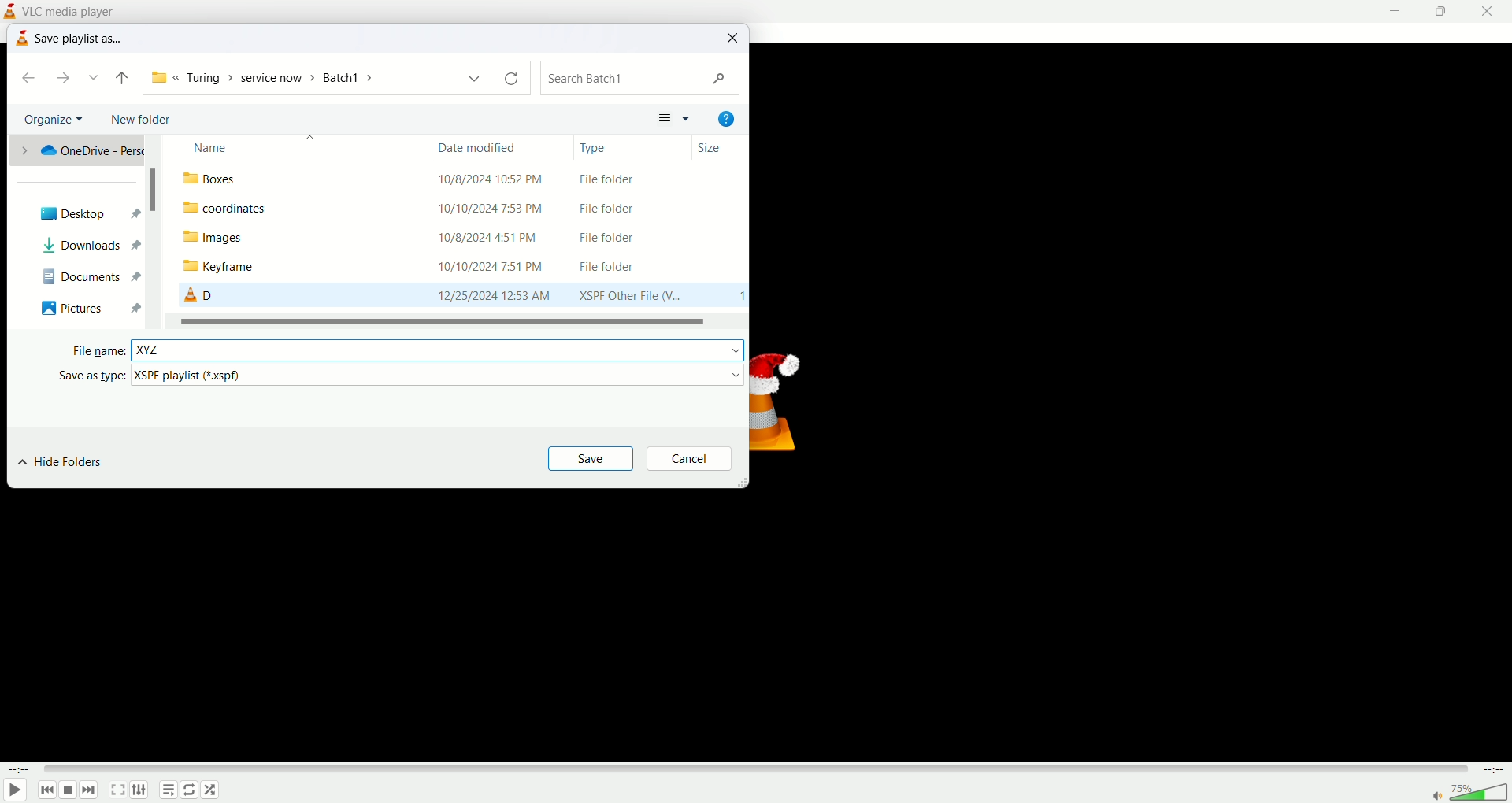  What do you see at coordinates (1447, 11) in the screenshot?
I see `maximize` at bounding box center [1447, 11].